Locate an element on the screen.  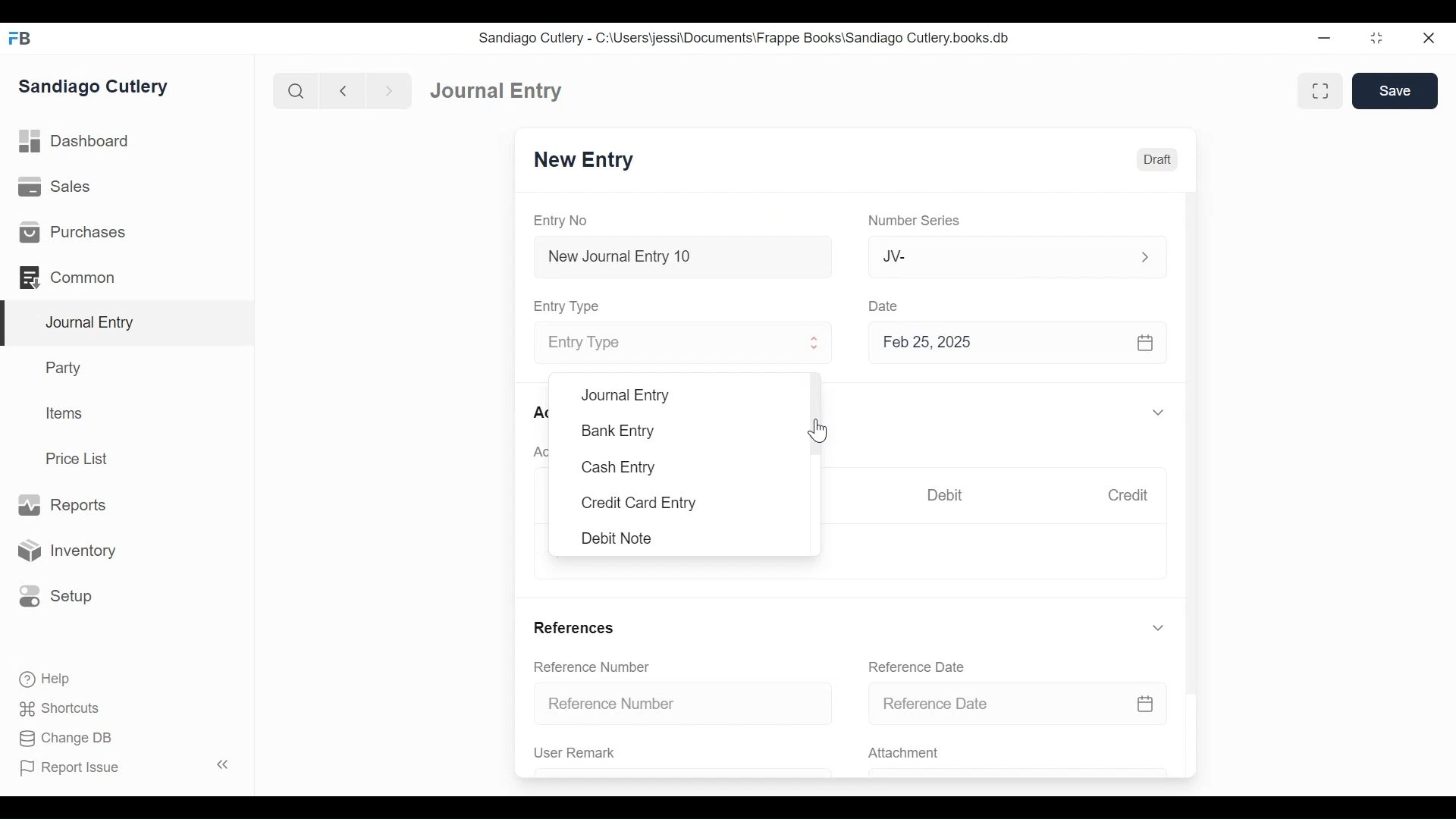
Reference Number is located at coordinates (595, 668).